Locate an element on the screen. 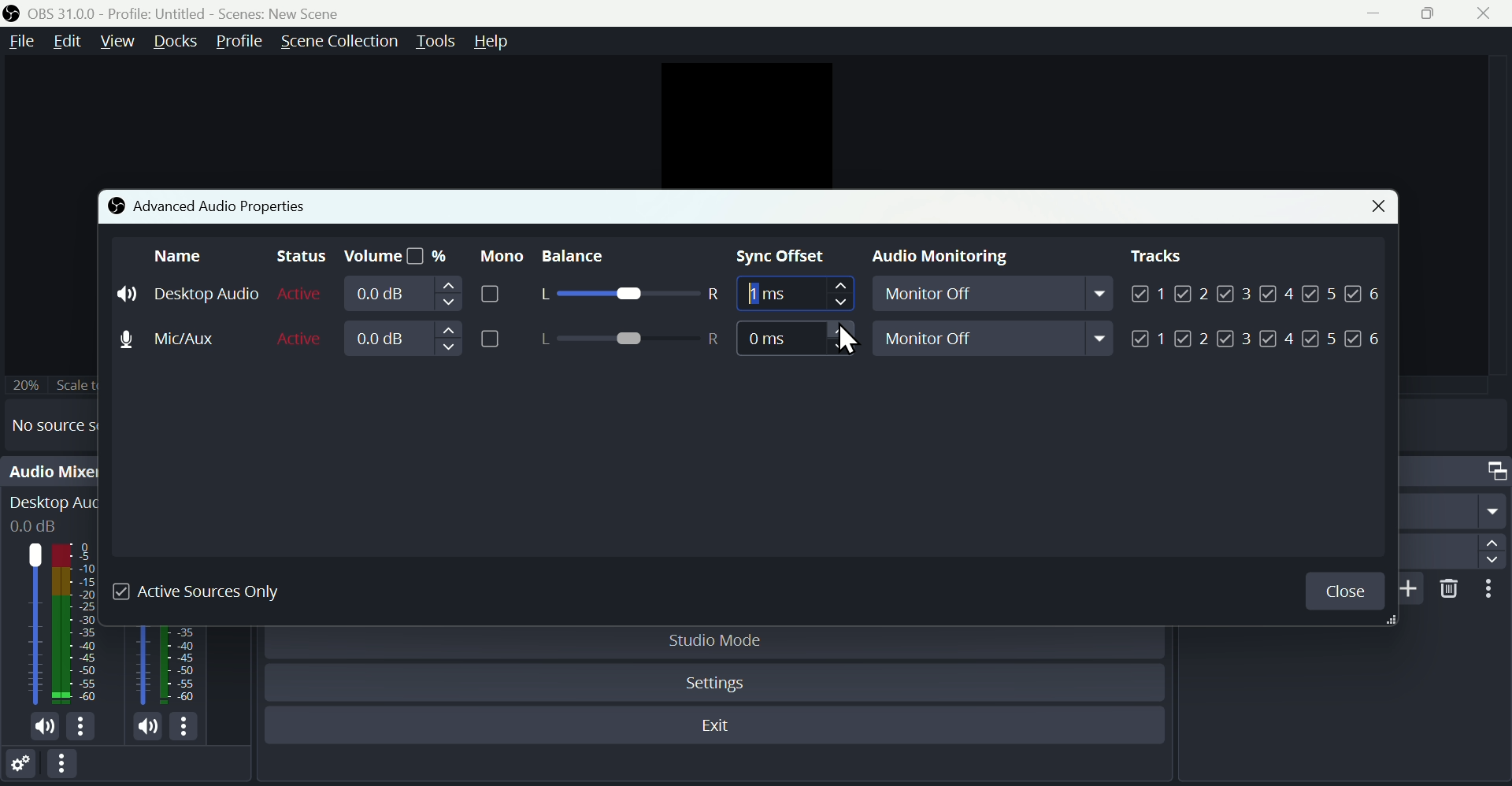  Maximise is located at coordinates (1436, 13).